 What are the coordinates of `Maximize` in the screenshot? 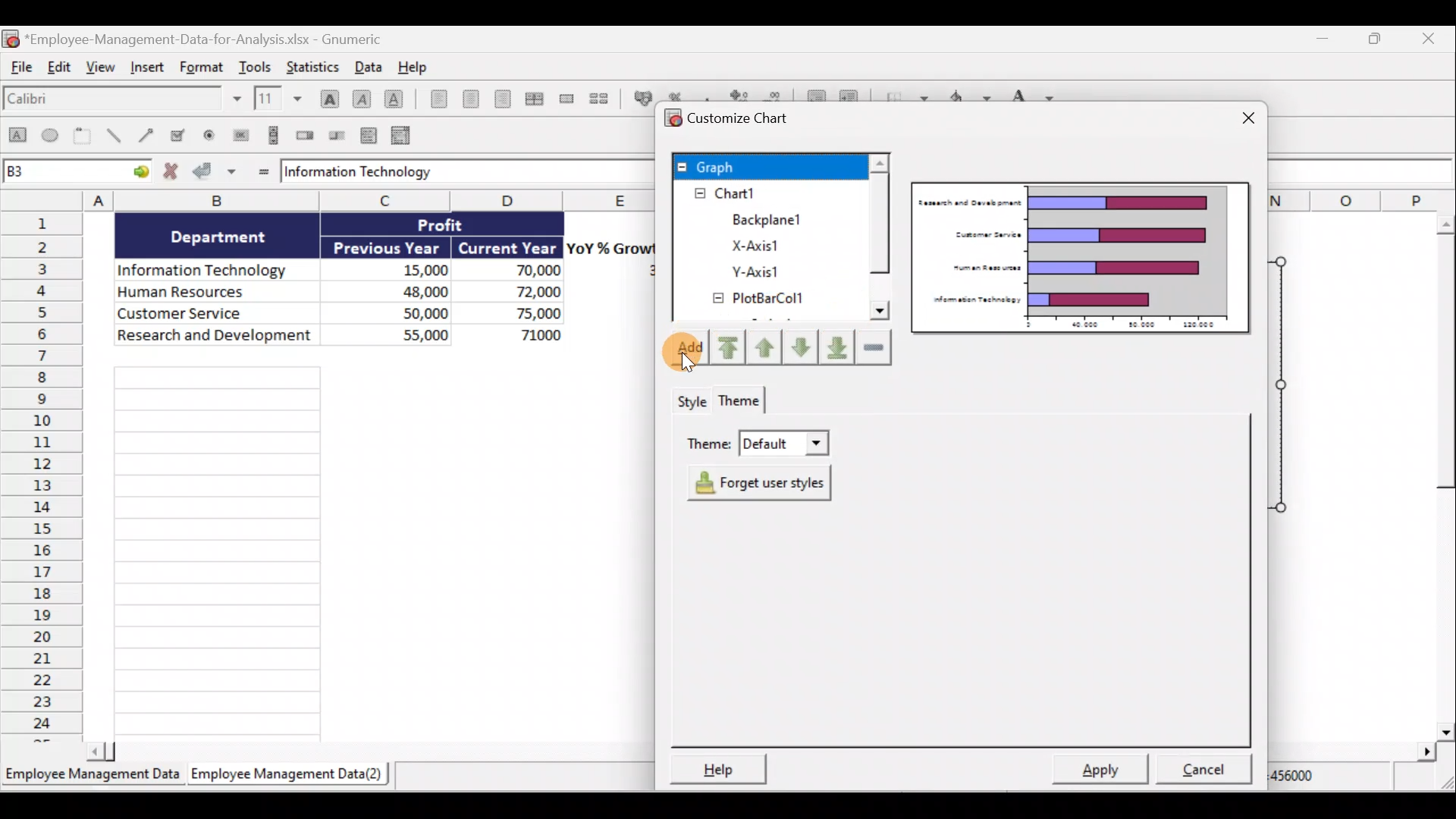 It's located at (1382, 41).